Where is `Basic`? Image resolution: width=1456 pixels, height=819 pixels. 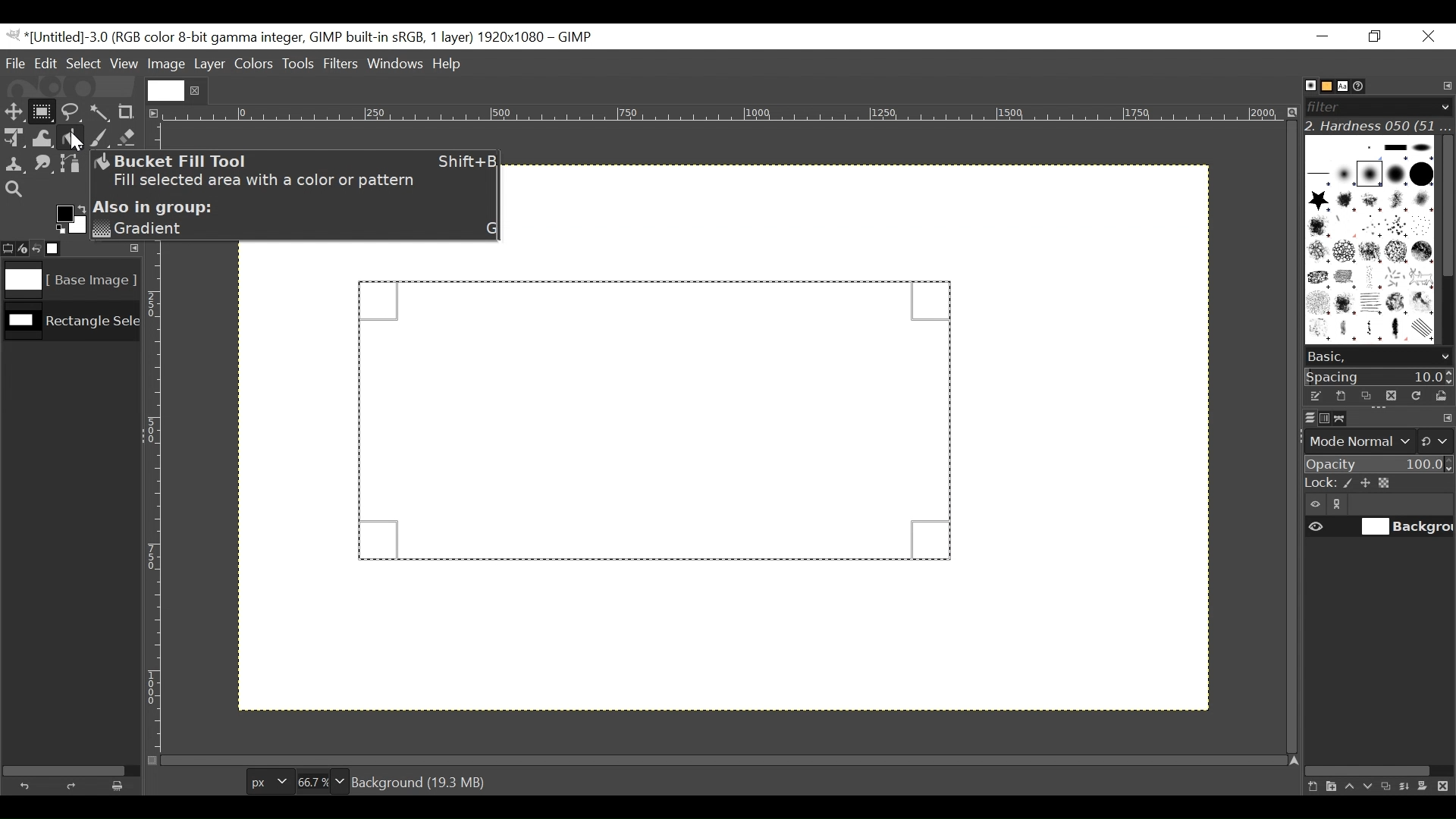
Basic is located at coordinates (1323, 86).